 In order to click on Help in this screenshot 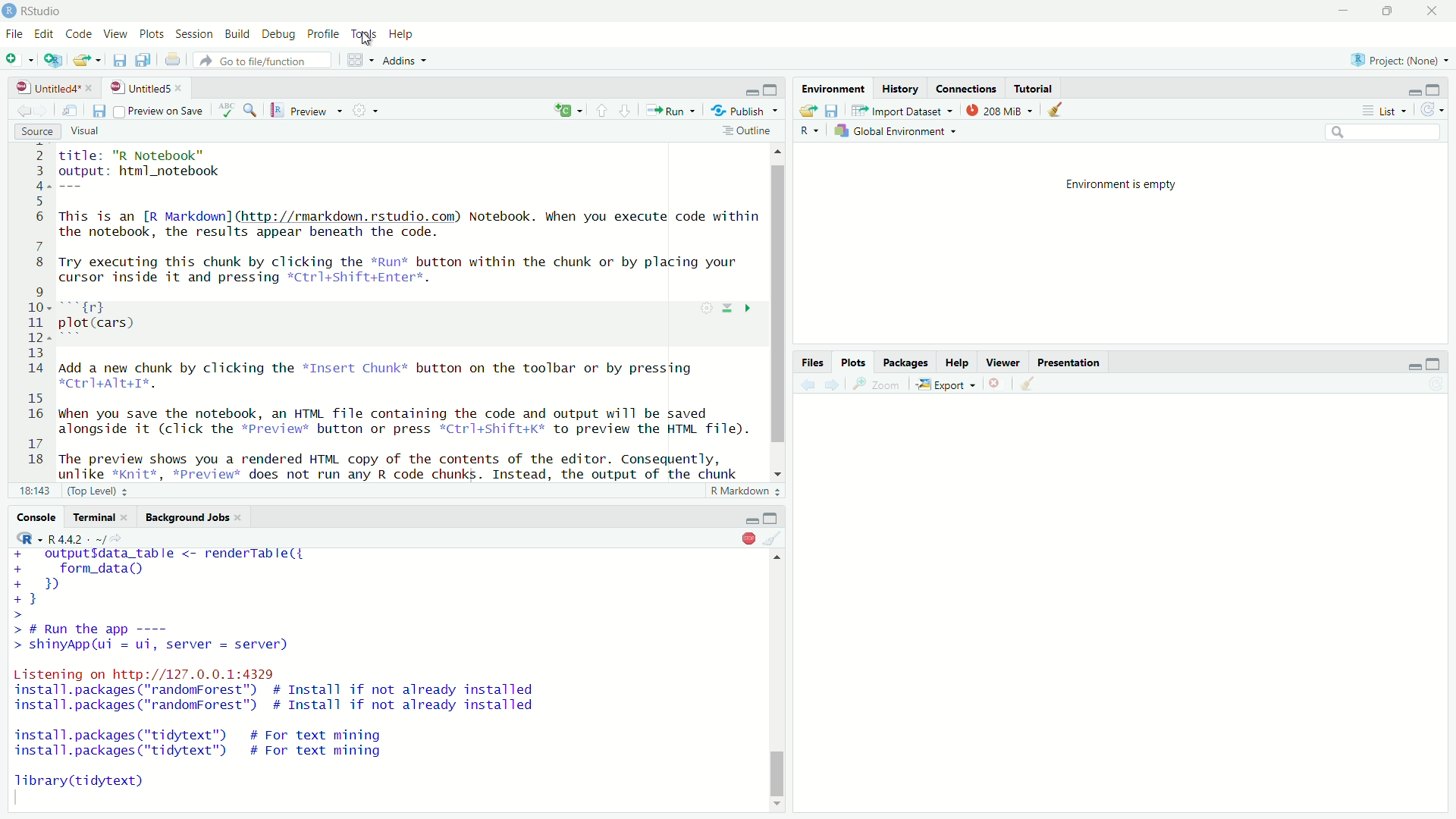, I will do `click(959, 364)`.